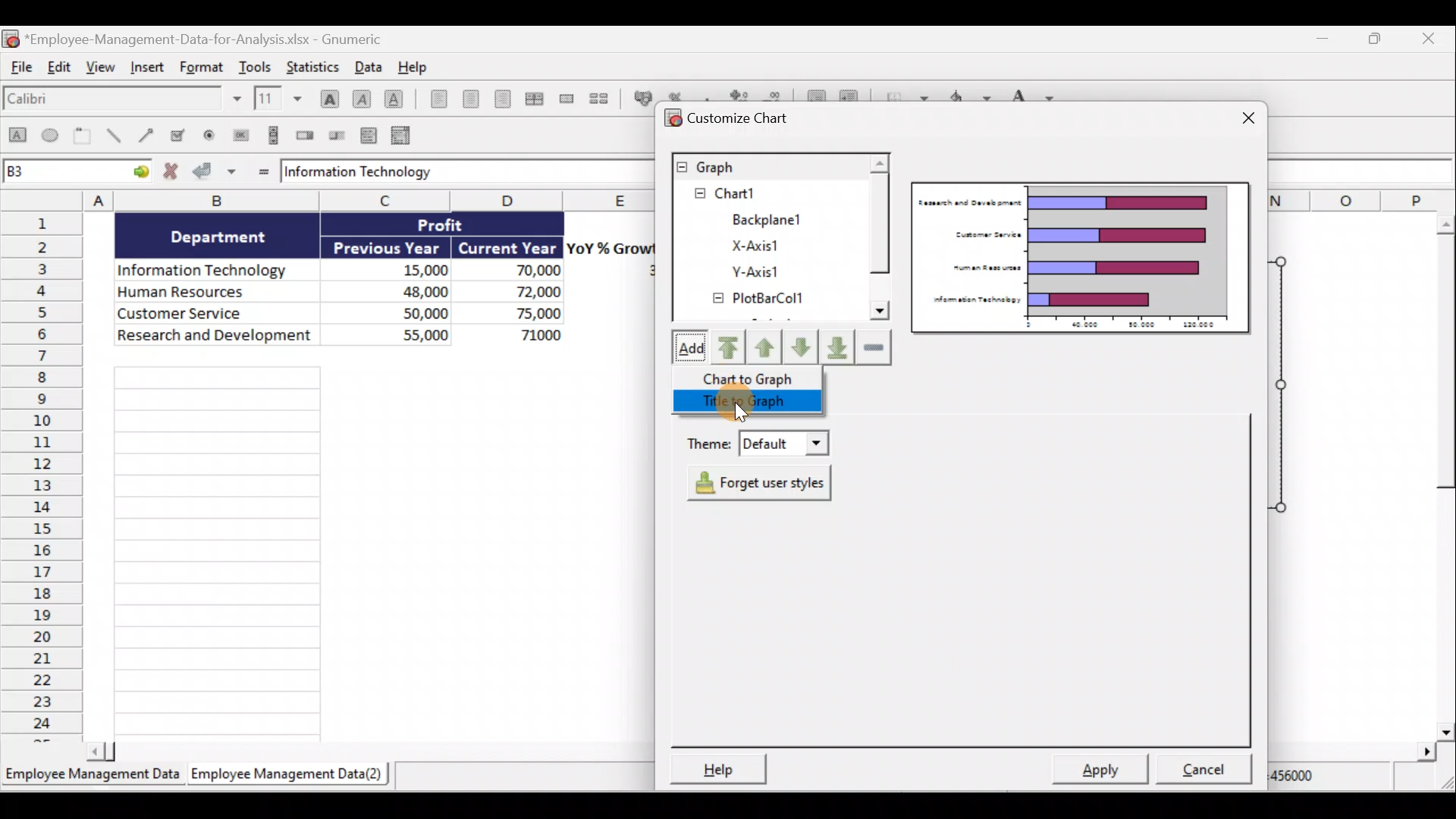 This screenshot has width=1456, height=819. I want to click on *Employee-Management-Data-for-Analysis.xlsx - Gnumeric, so click(214, 39).